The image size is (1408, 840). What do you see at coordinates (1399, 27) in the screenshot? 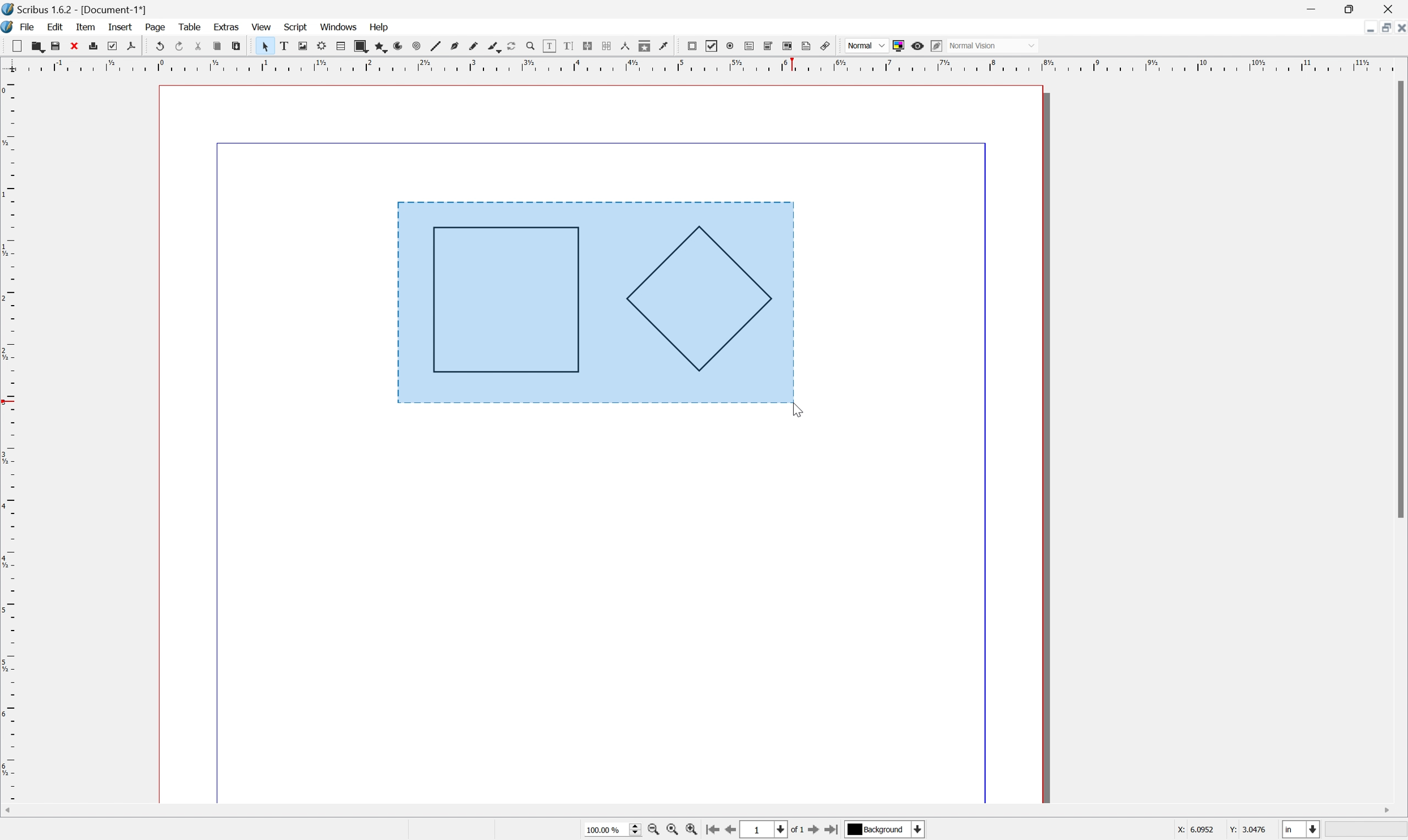
I see `Close` at bounding box center [1399, 27].